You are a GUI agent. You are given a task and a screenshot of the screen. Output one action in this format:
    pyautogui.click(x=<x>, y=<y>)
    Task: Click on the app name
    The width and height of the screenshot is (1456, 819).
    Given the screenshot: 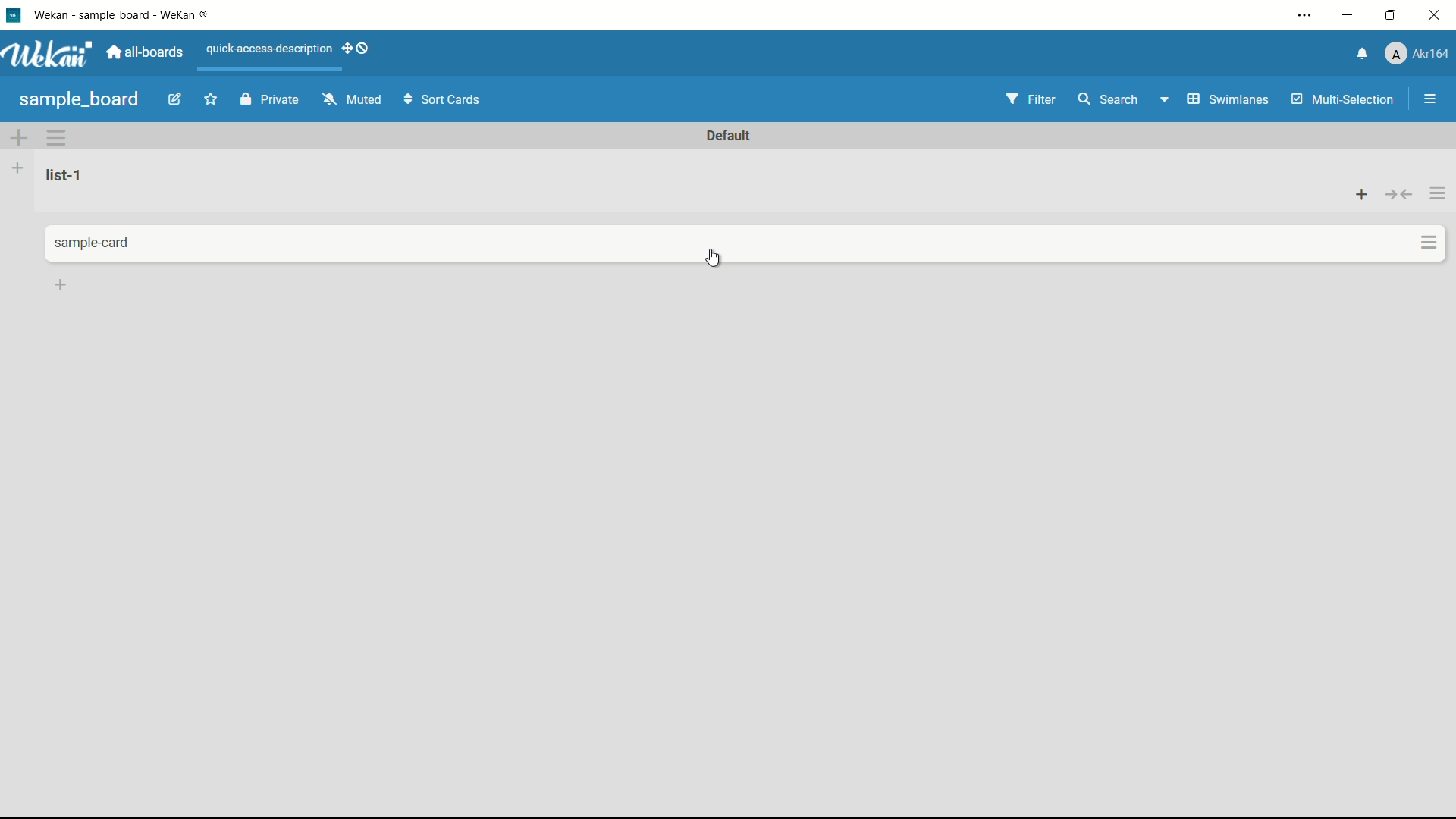 What is the action you would take?
    pyautogui.click(x=124, y=14)
    